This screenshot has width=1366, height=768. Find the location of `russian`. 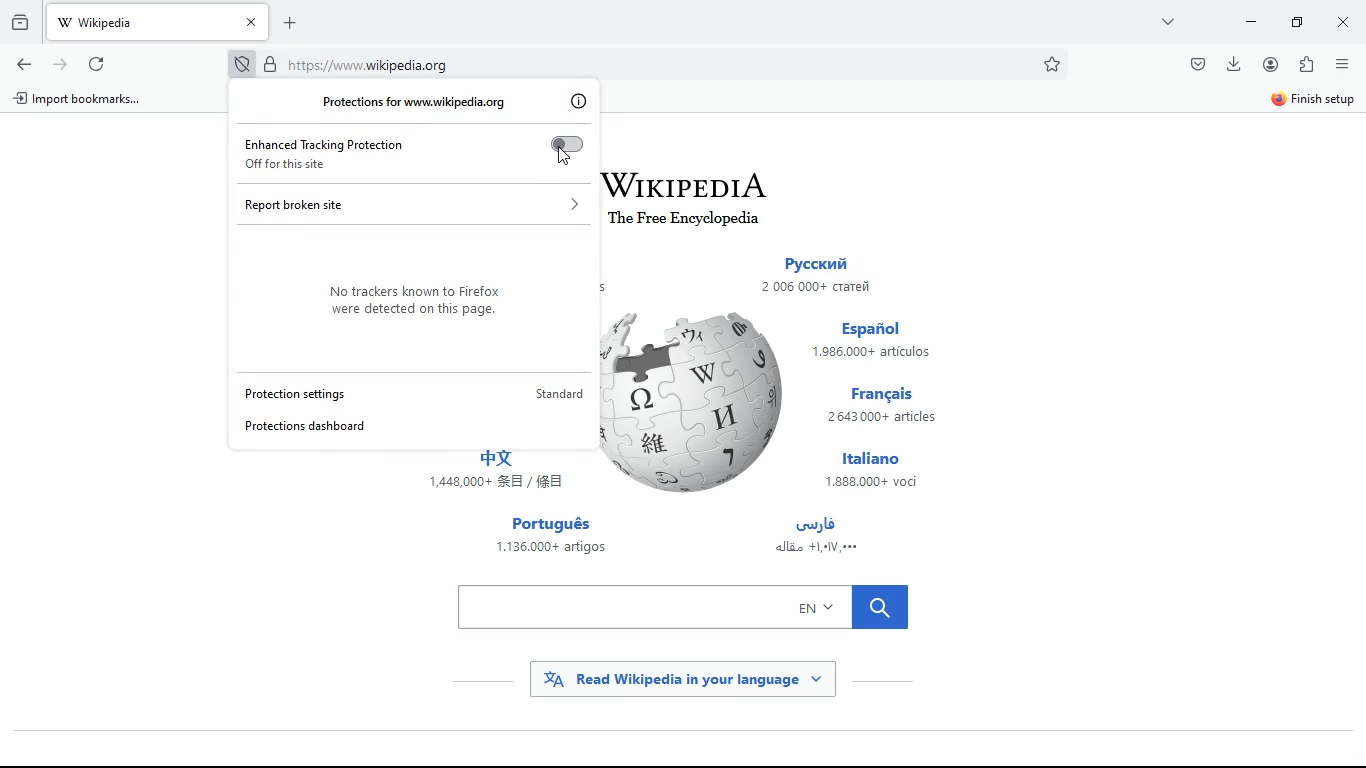

russian is located at coordinates (828, 278).